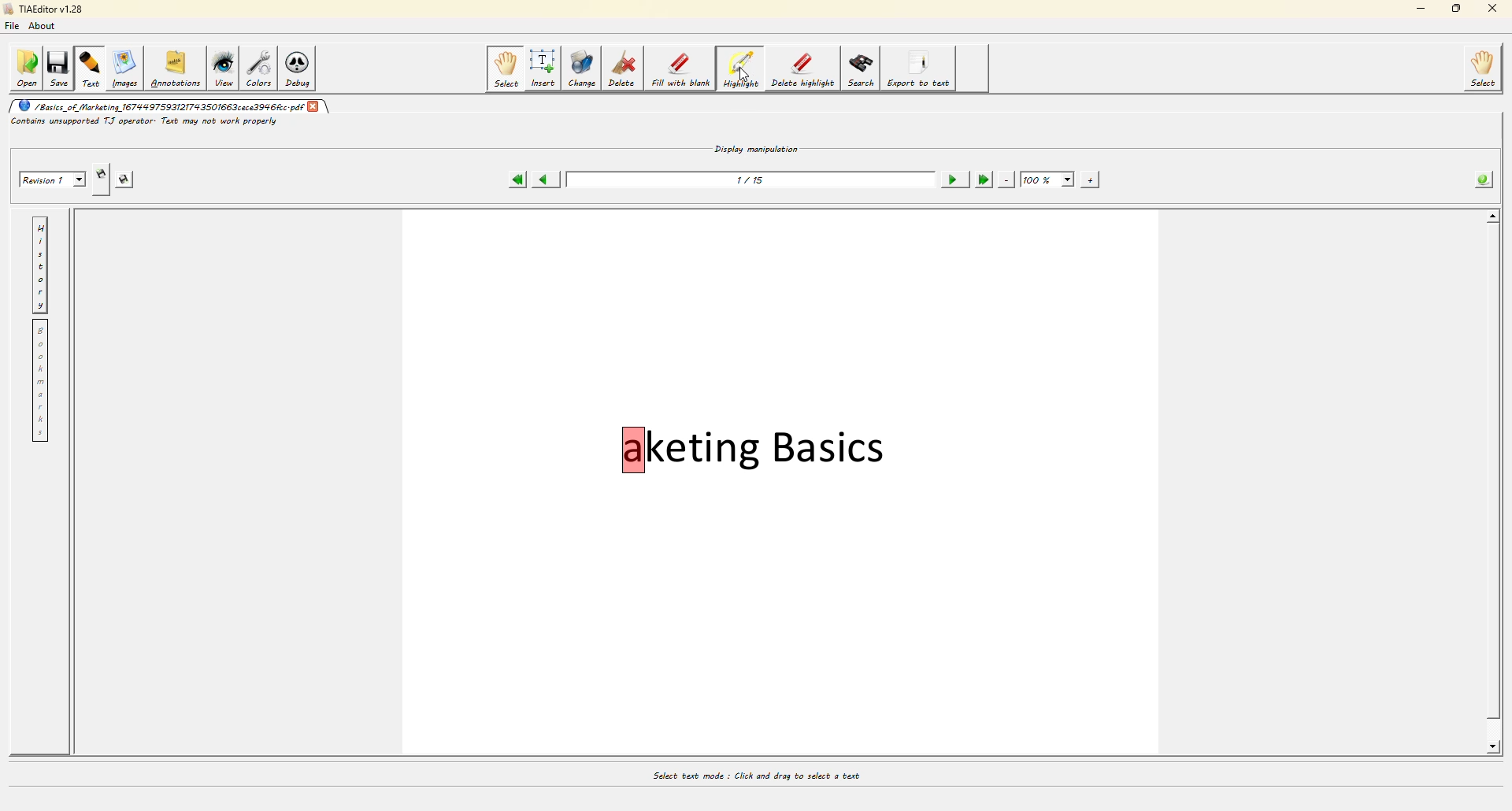 The width and height of the screenshot is (1512, 811). Describe the element at coordinates (742, 76) in the screenshot. I see `cursor` at that location.